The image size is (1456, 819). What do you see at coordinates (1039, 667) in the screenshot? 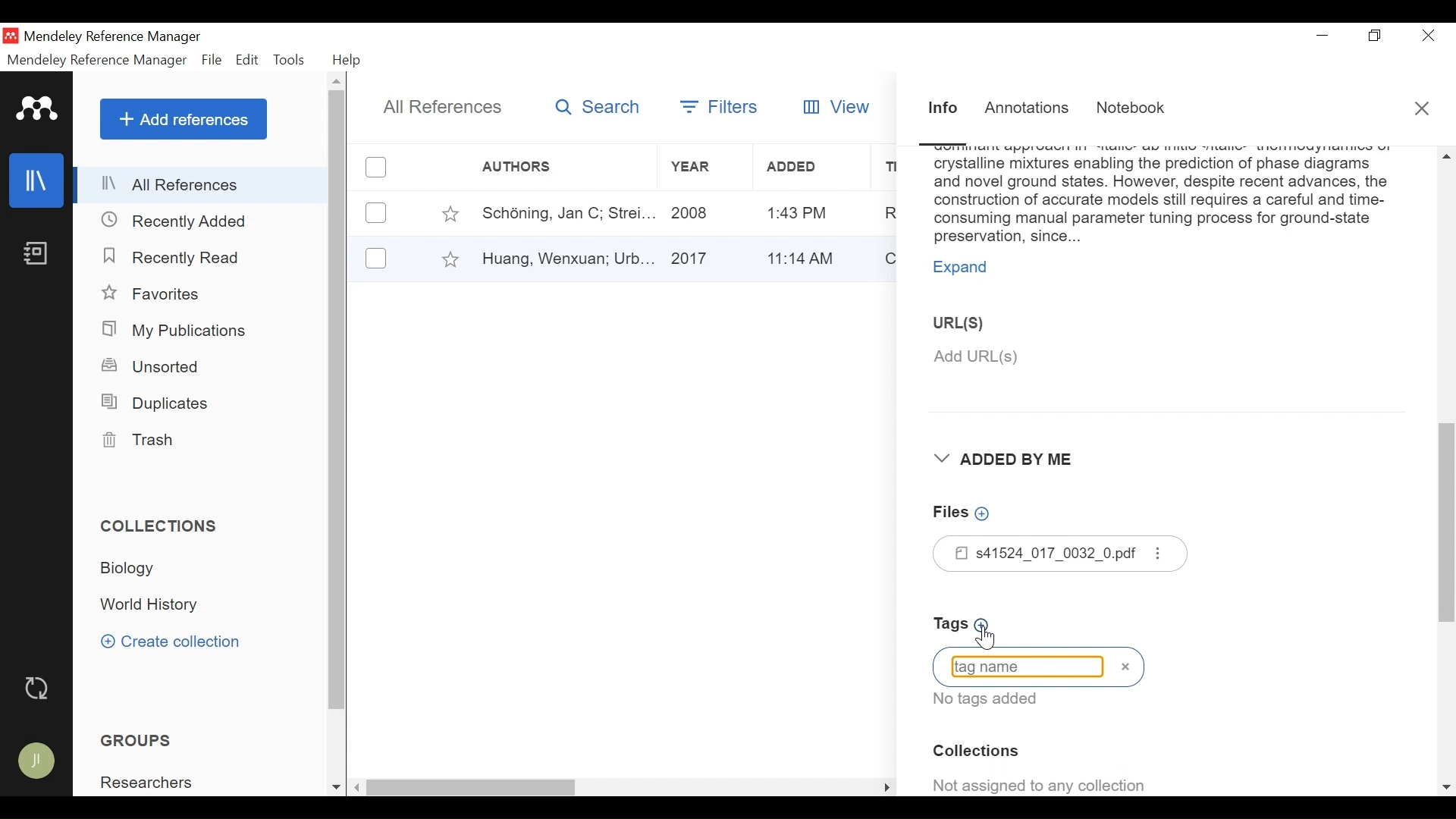
I see `Tag name` at bounding box center [1039, 667].